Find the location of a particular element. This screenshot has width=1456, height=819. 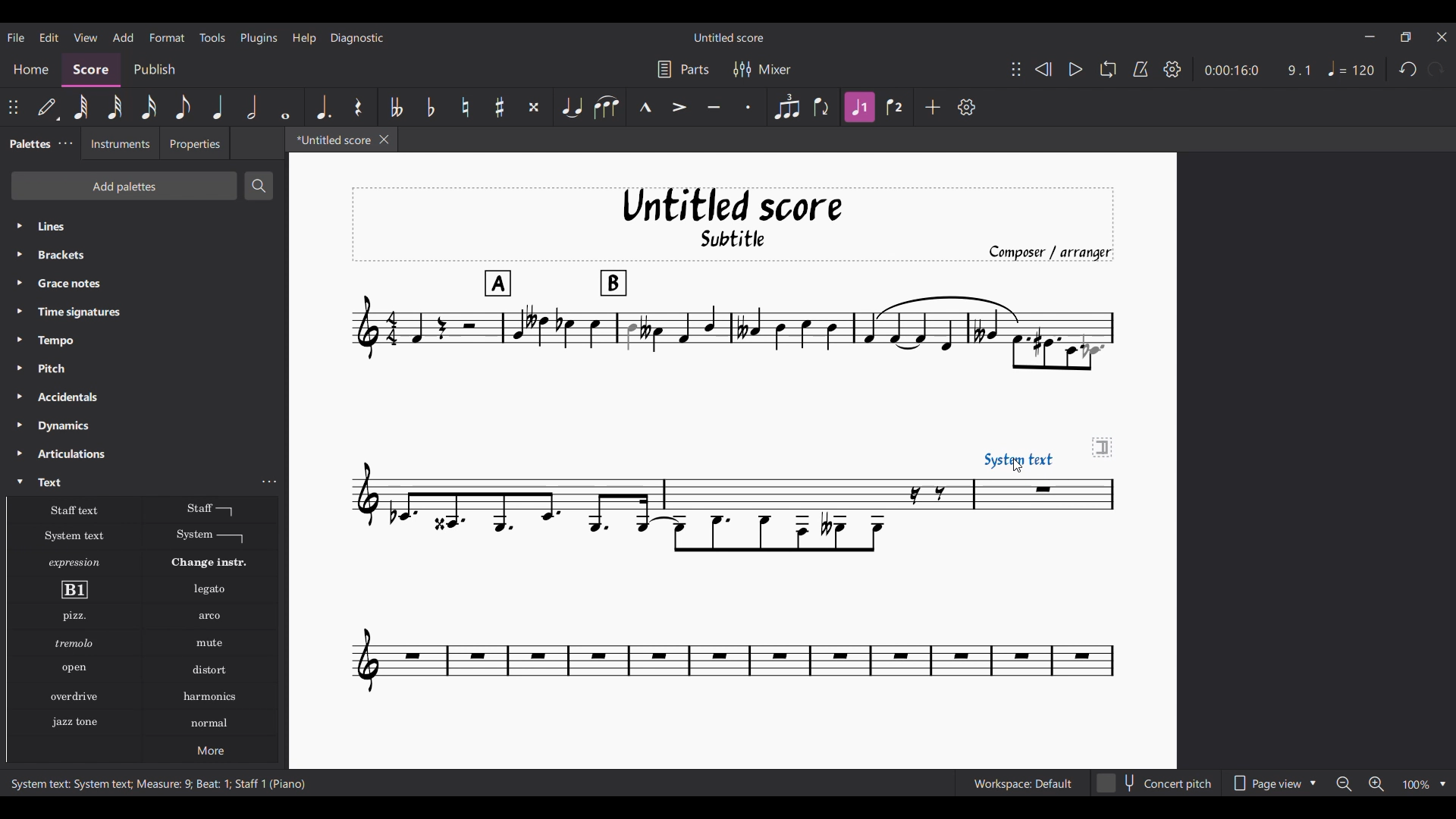

Customize settings is located at coordinates (967, 107).